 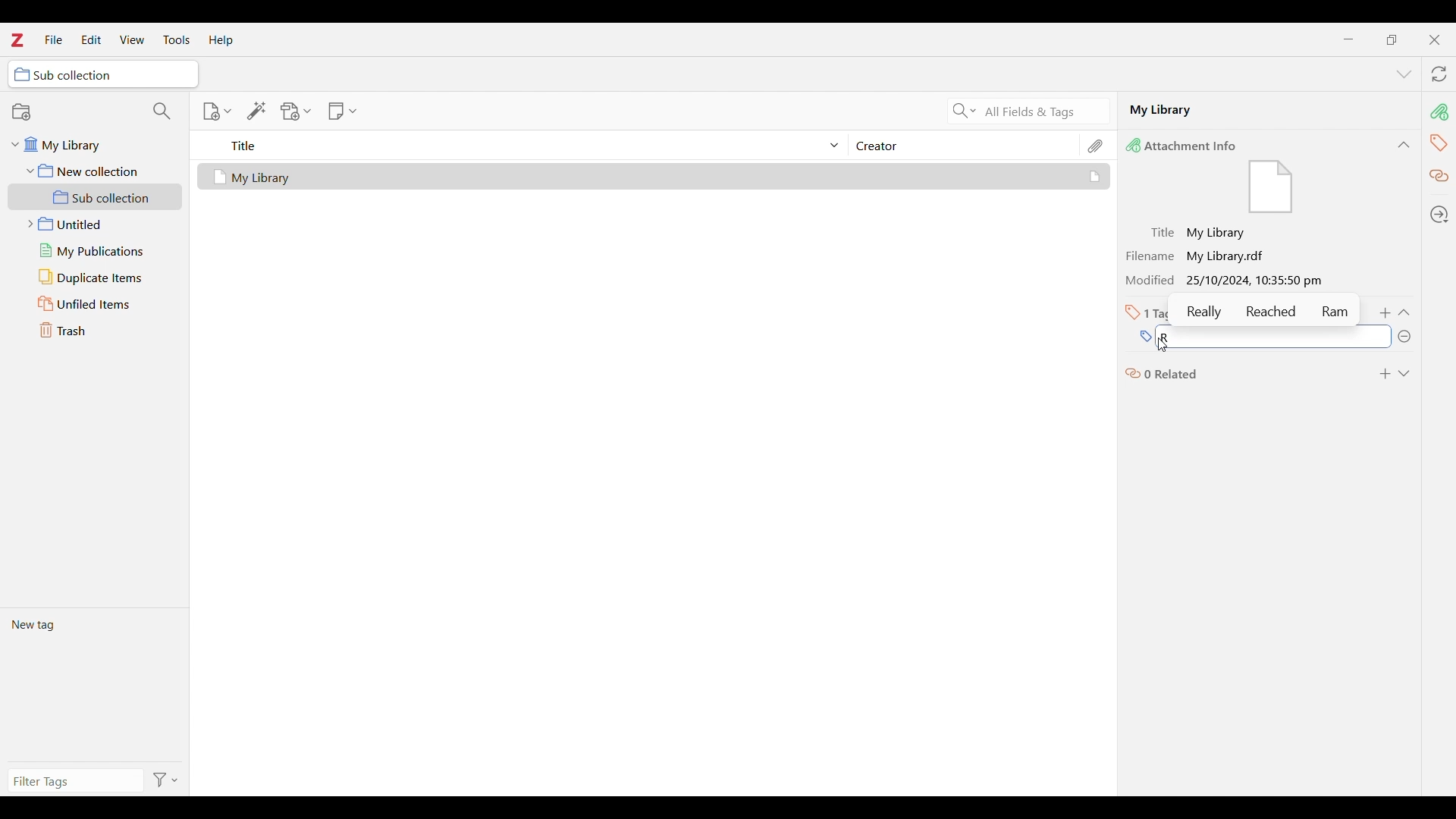 I want to click on My library folder, so click(x=93, y=143).